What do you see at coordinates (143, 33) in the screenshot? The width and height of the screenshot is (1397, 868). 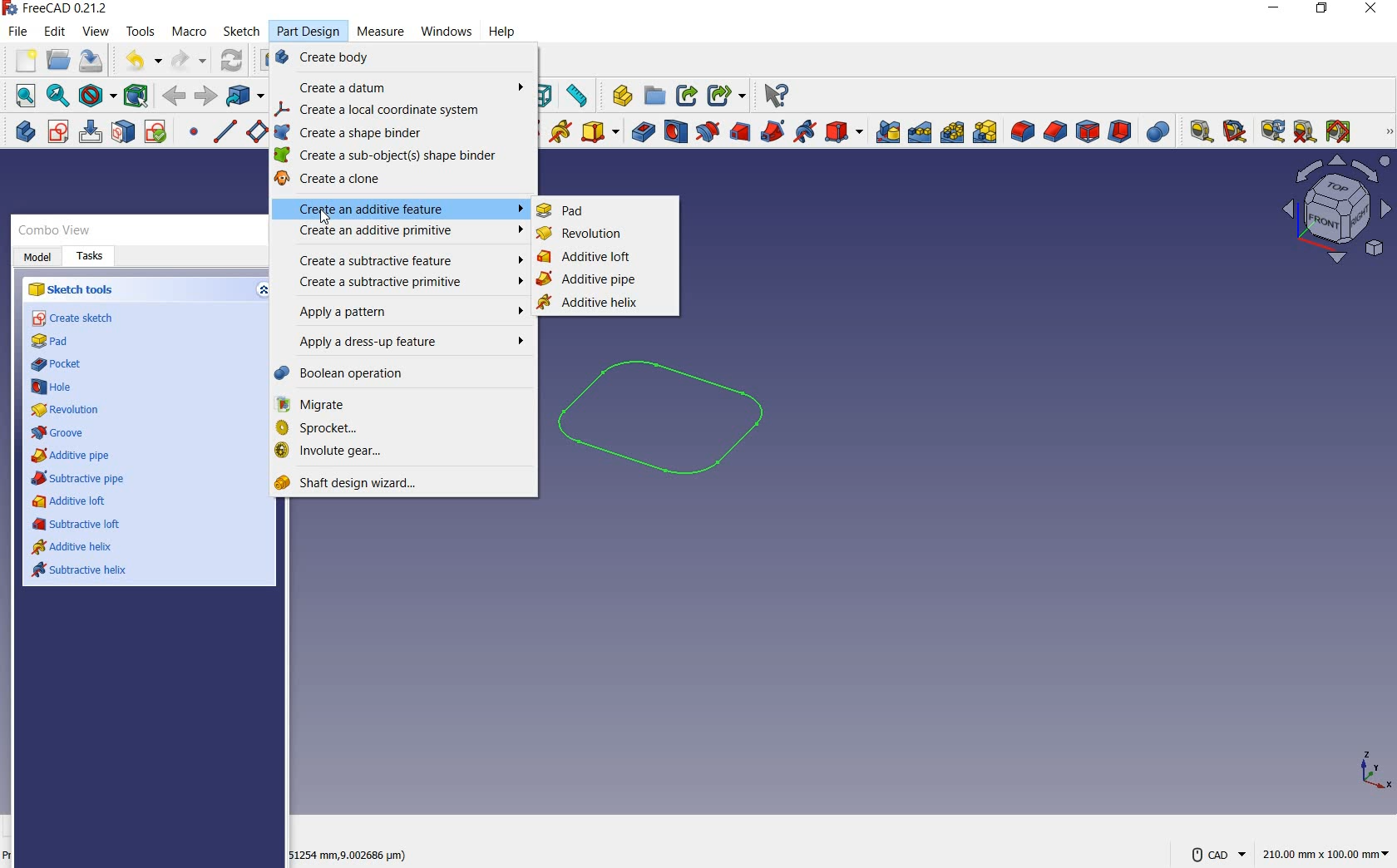 I see `tools` at bounding box center [143, 33].